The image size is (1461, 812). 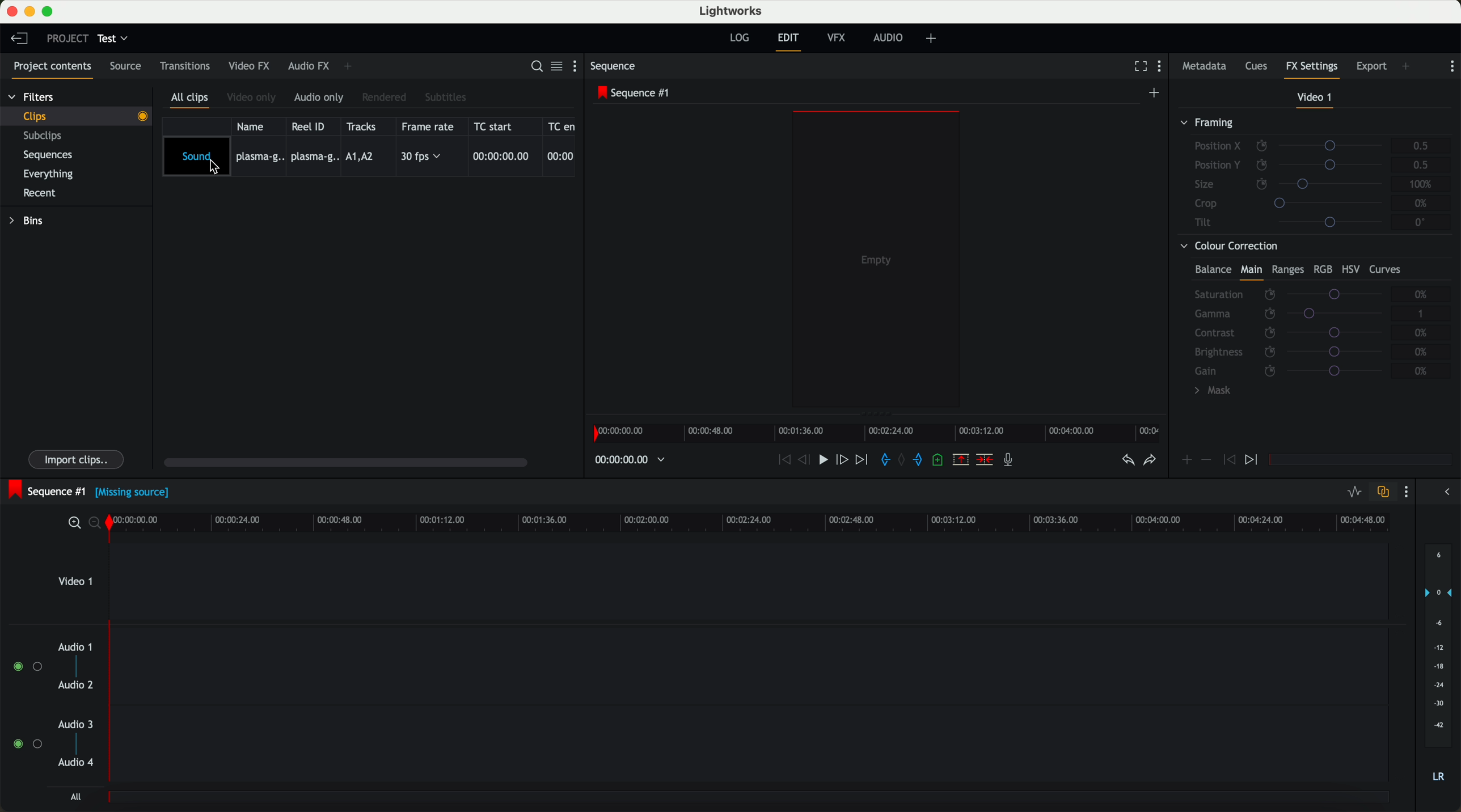 What do you see at coordinates (880, 433) in the screenshot?
I see `timeline` at bounding box center [880, 433].